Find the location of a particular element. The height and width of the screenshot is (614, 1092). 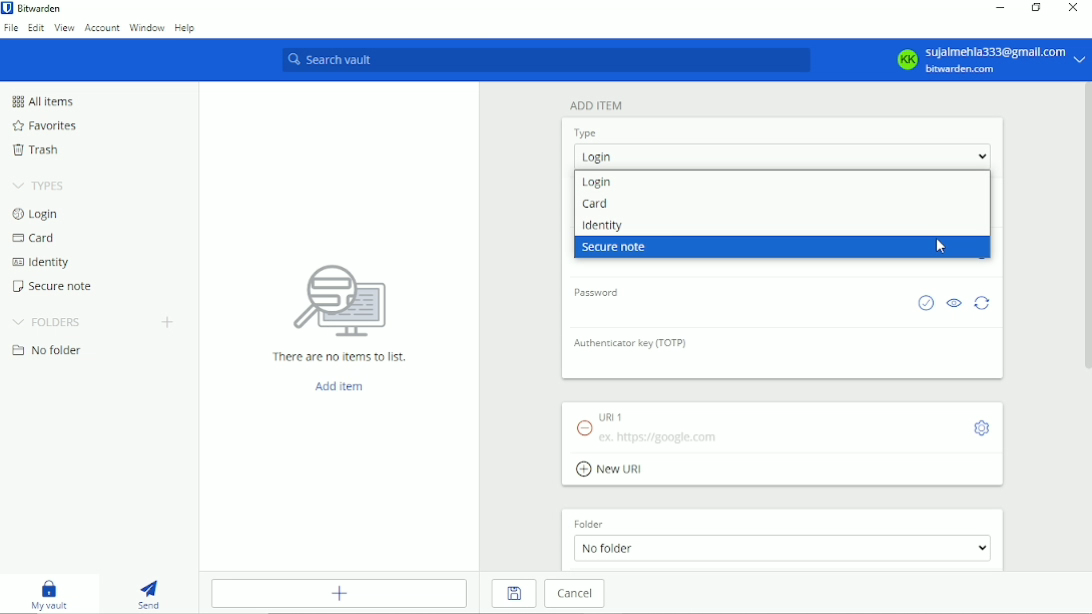

Close is located at coordinates (1074, 7).